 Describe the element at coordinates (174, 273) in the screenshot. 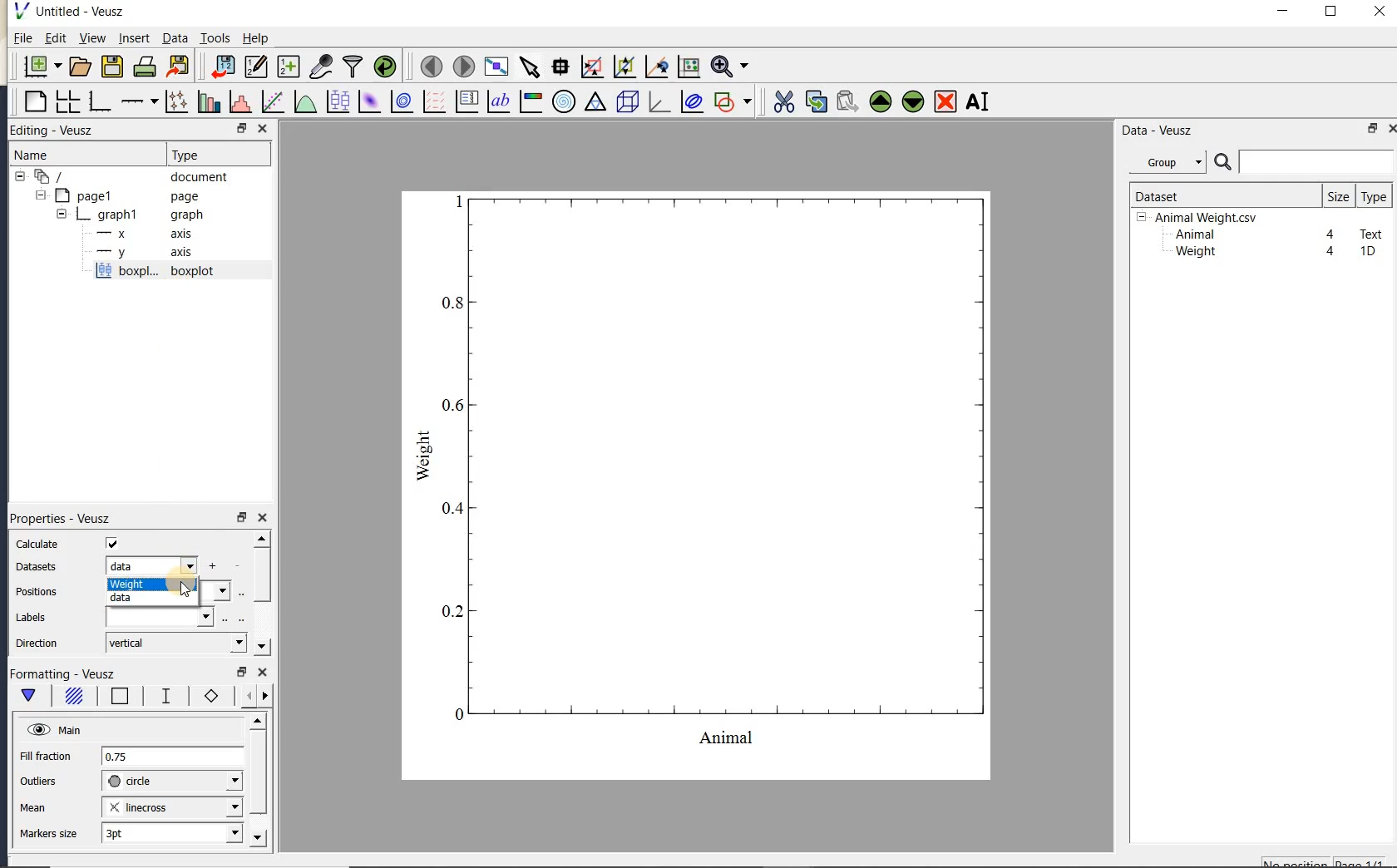

I see `boxplot` at that location.